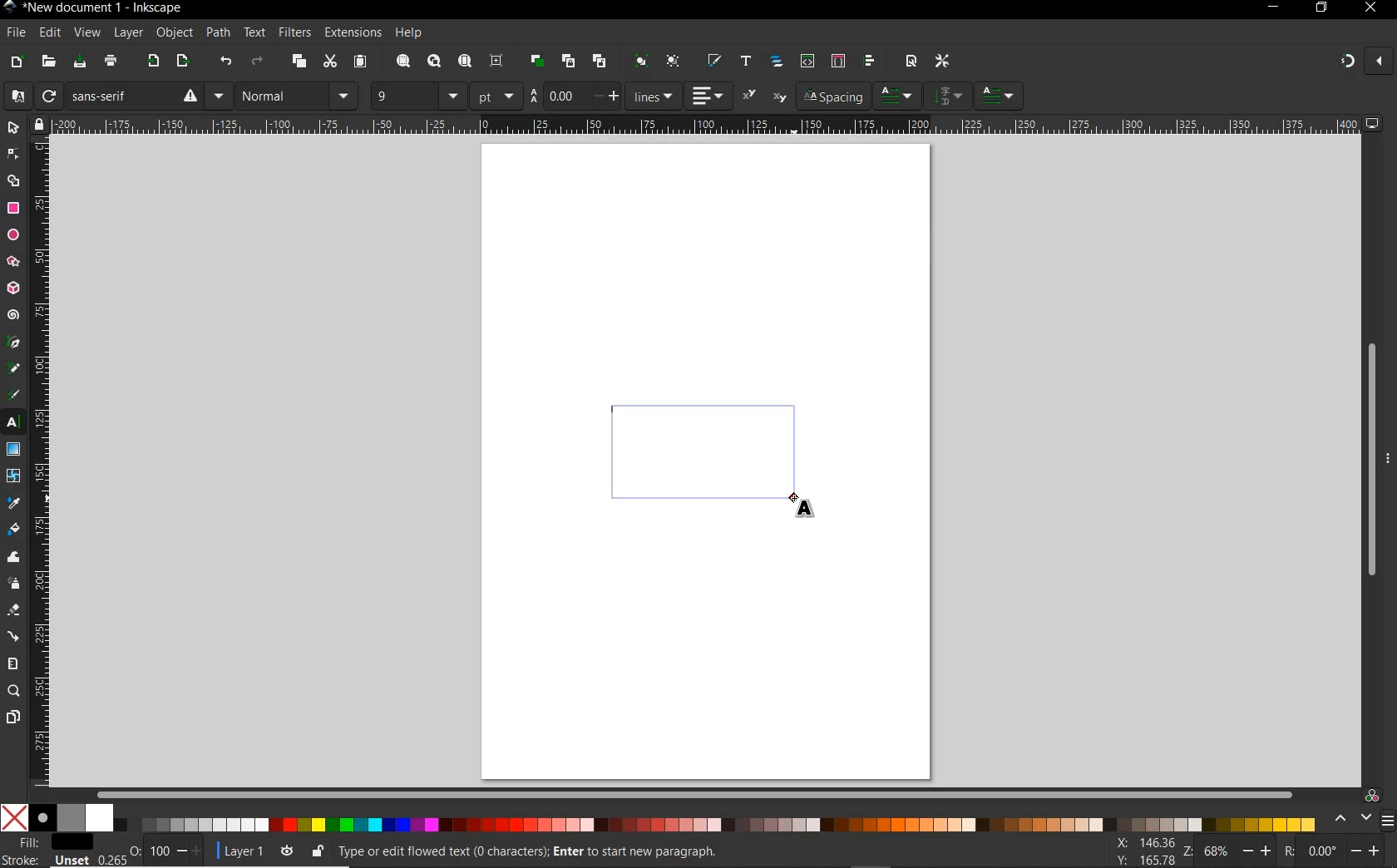  I want to click on color managed mode, so click(1370, 795).